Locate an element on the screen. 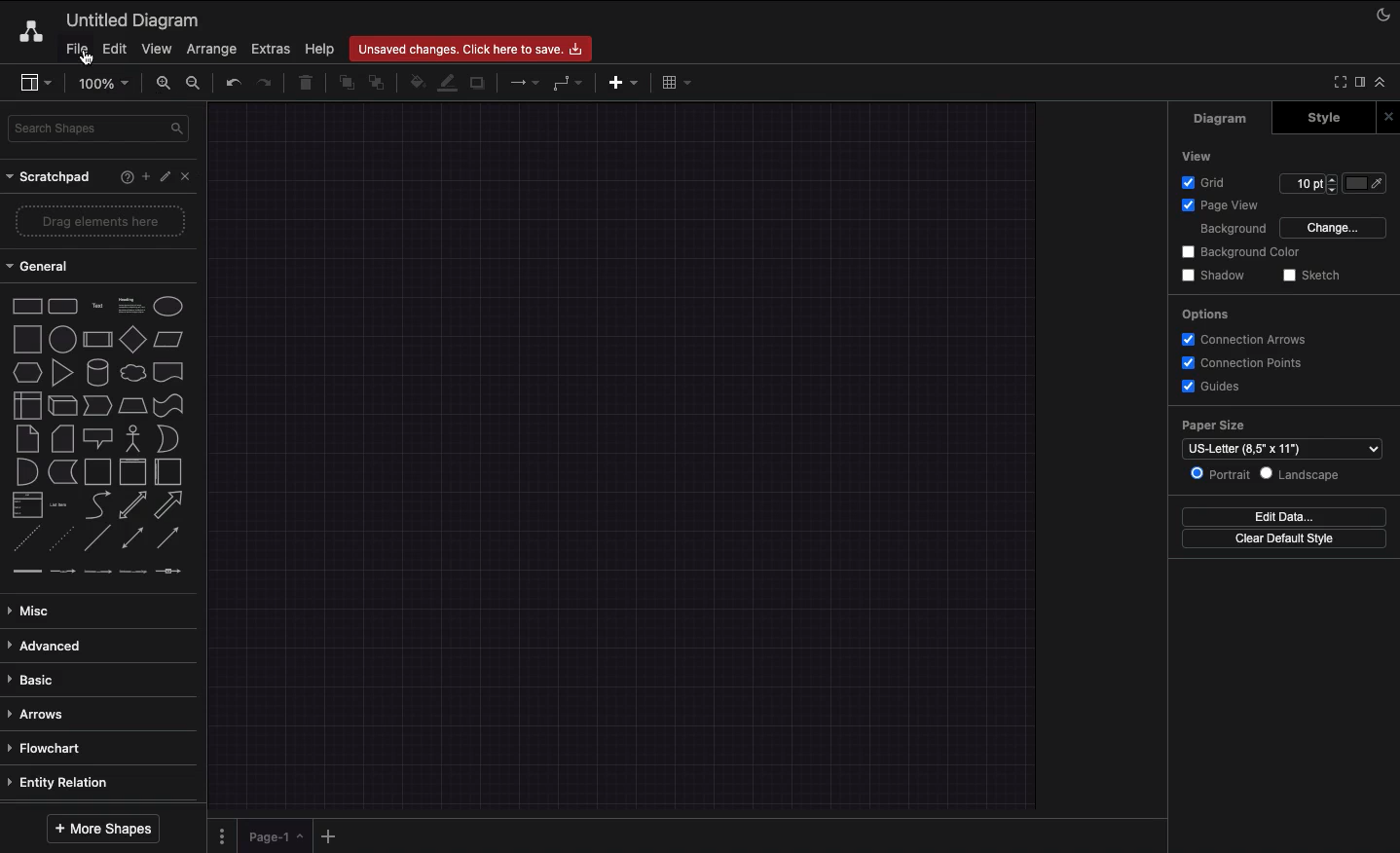  Process is located at coordinates (95, 341).